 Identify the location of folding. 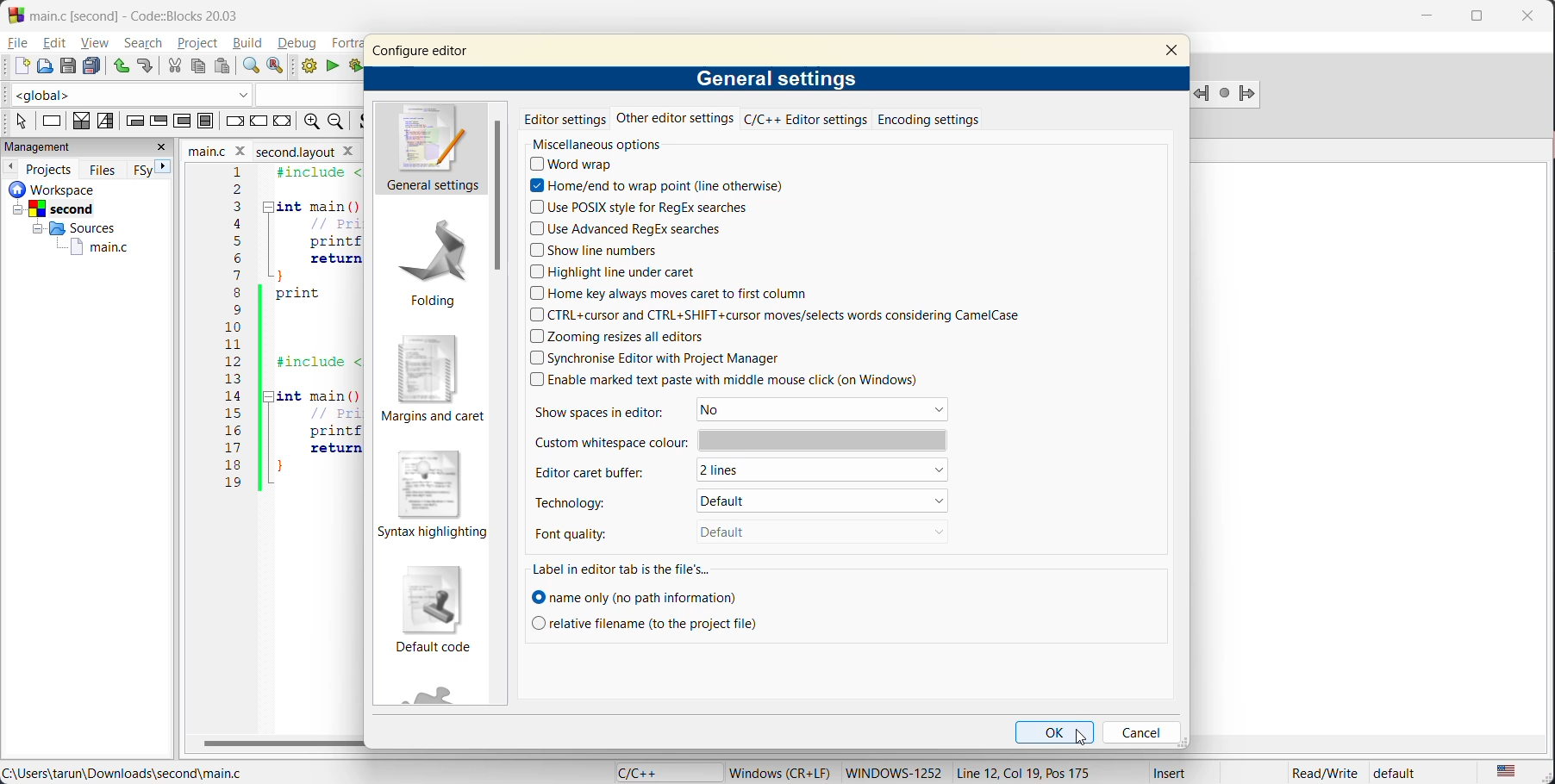
(434, 259).